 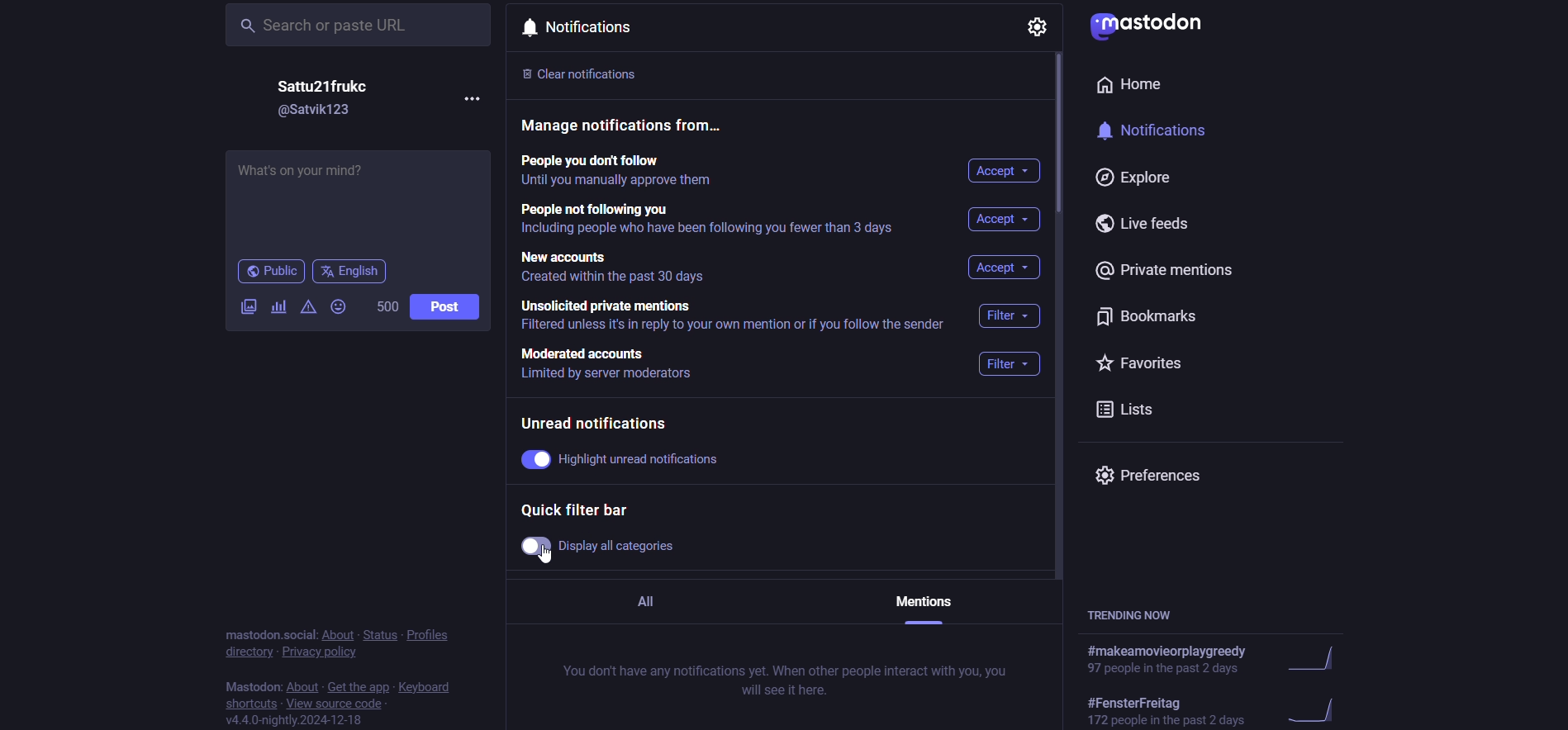 What do you see at coordinates (444, 306) in the screenshot?
I see `Post` at bounding box center [444, 306].